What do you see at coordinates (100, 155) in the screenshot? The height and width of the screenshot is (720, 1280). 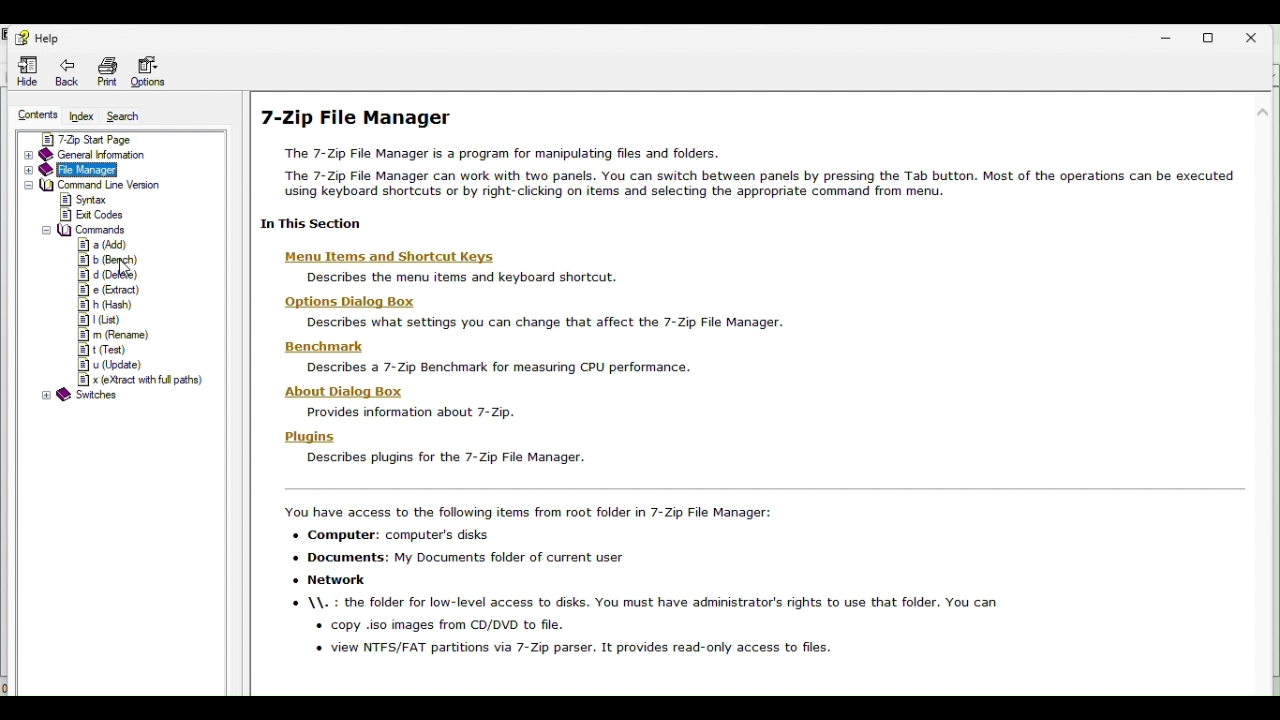 I see `General information` at bounding box center [100, 155].